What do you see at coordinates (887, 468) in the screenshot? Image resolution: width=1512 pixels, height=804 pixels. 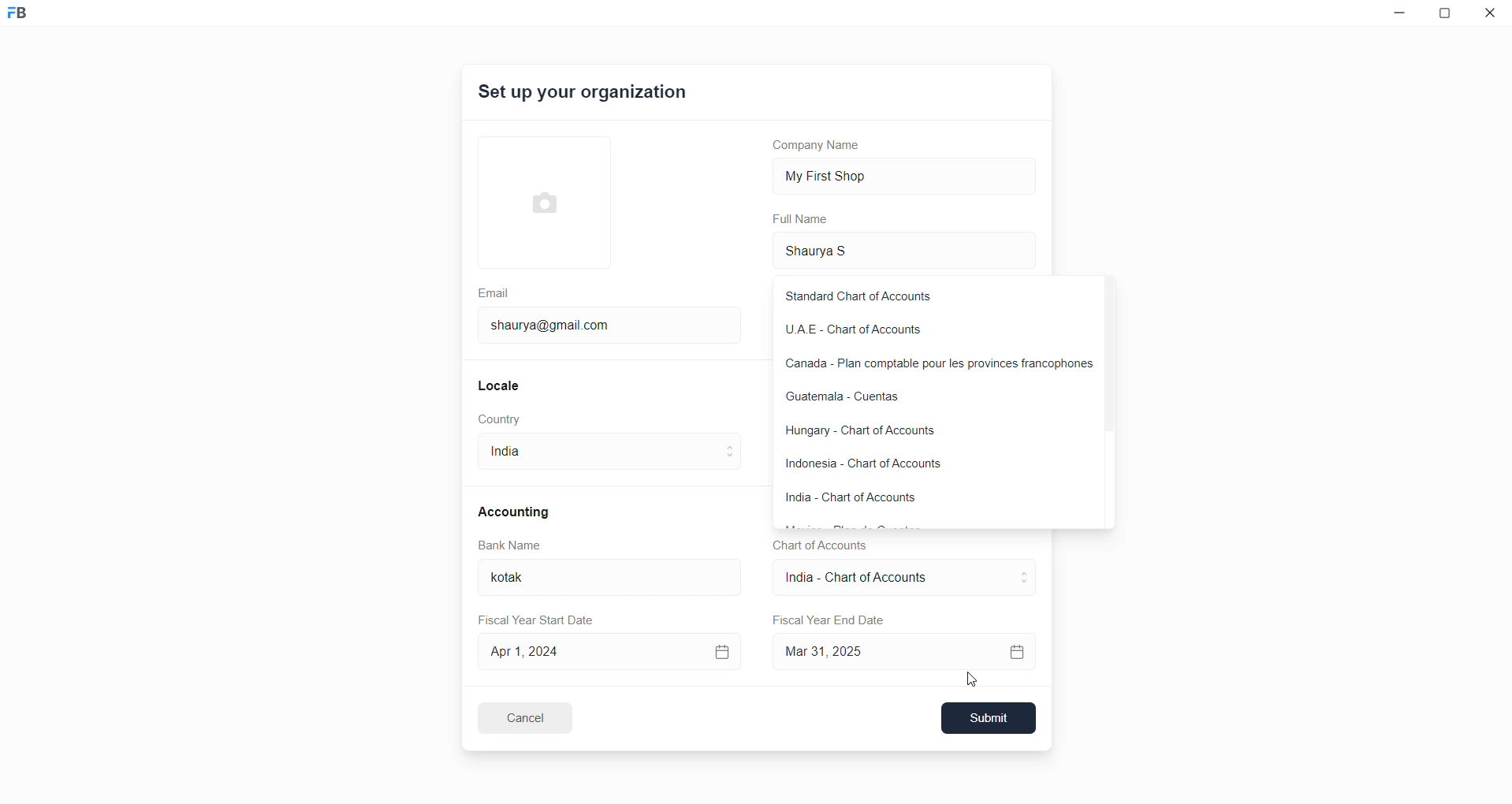 I see `Indonesia - Chart of Accounts` at bounding box center [887, 468].